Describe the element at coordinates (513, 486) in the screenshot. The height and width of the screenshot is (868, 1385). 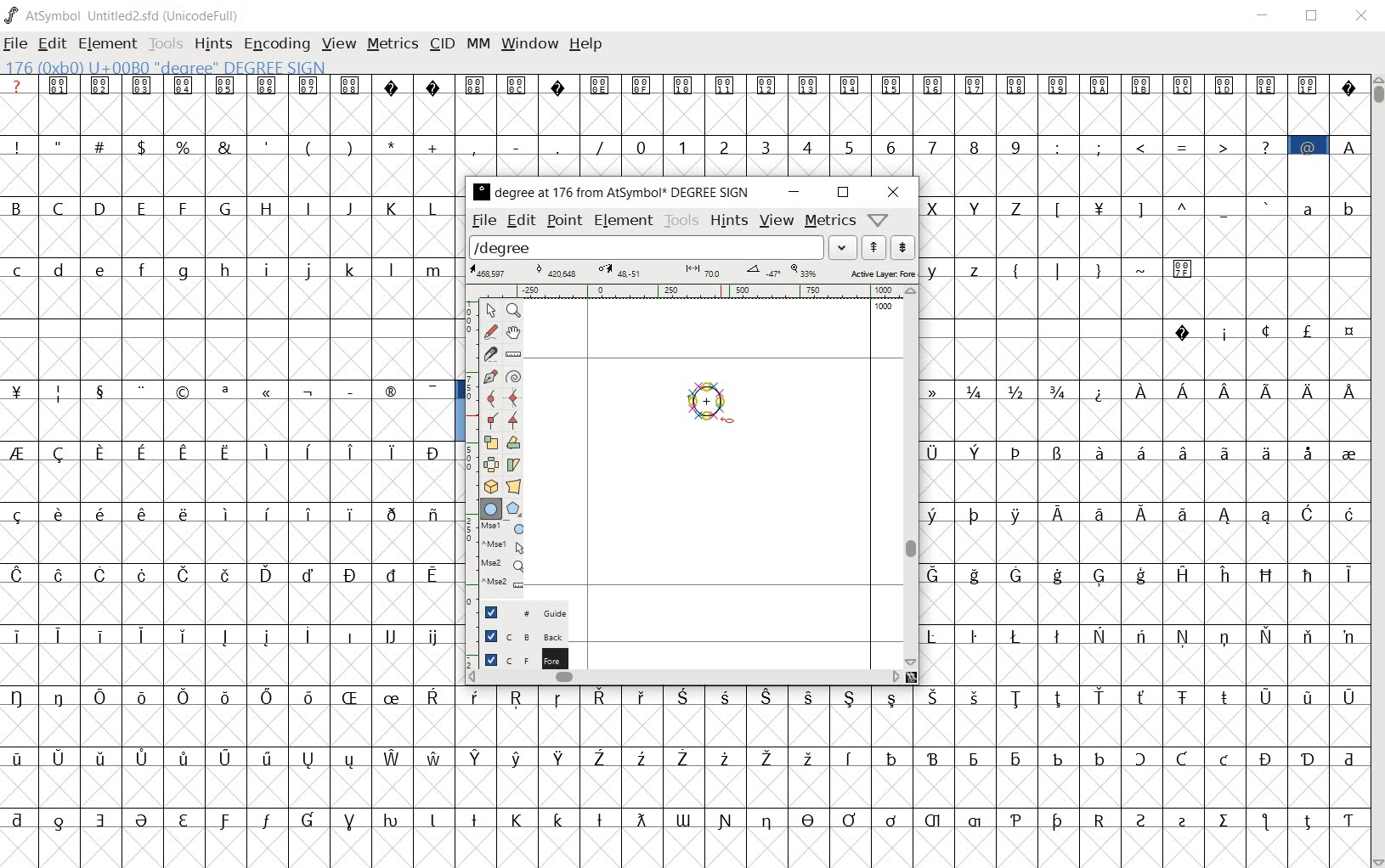
I see `perform a perspective transformation on the selection` at that location.